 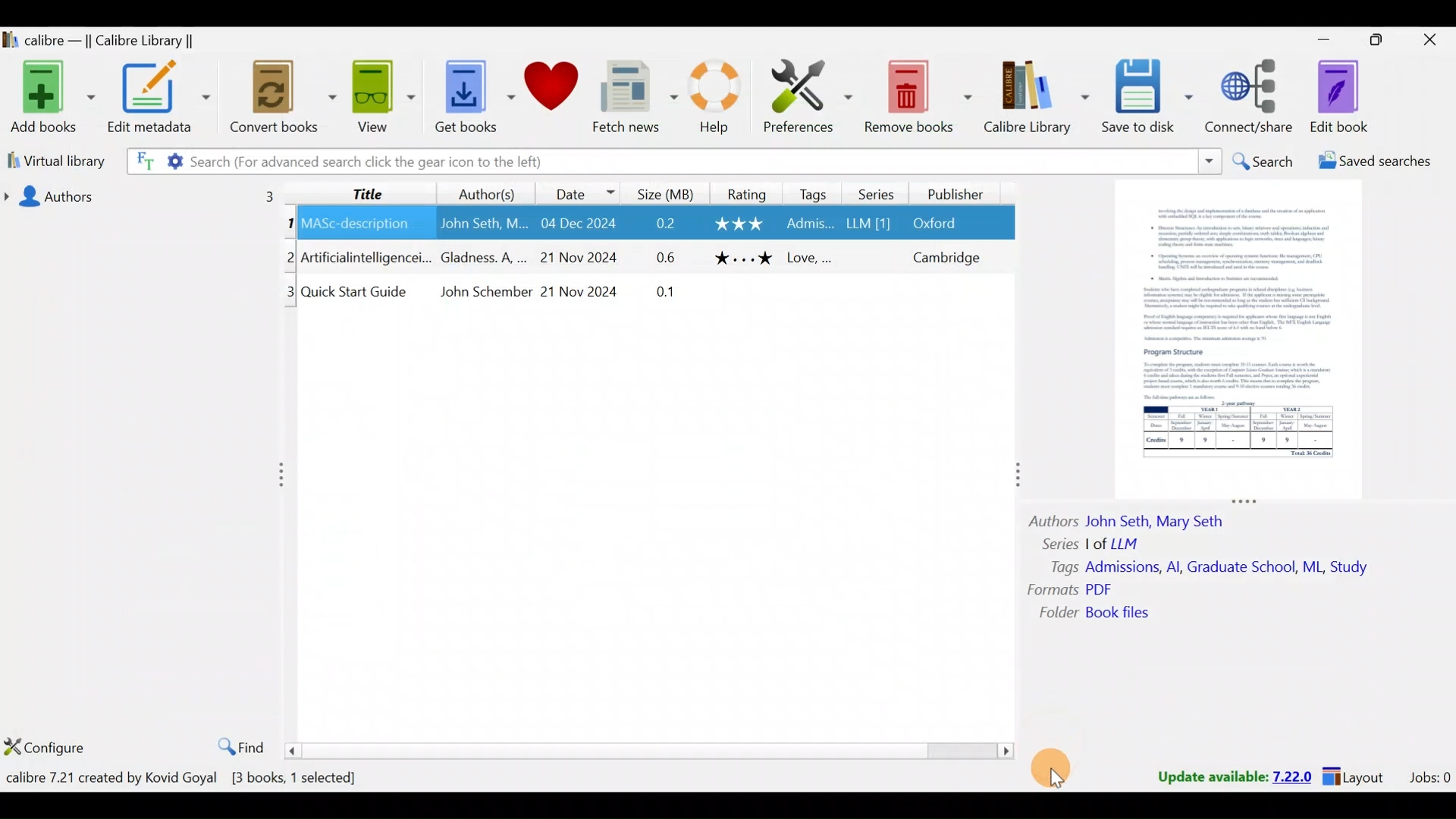 I want to click on Connect/share, so click(x=1250, y=97).